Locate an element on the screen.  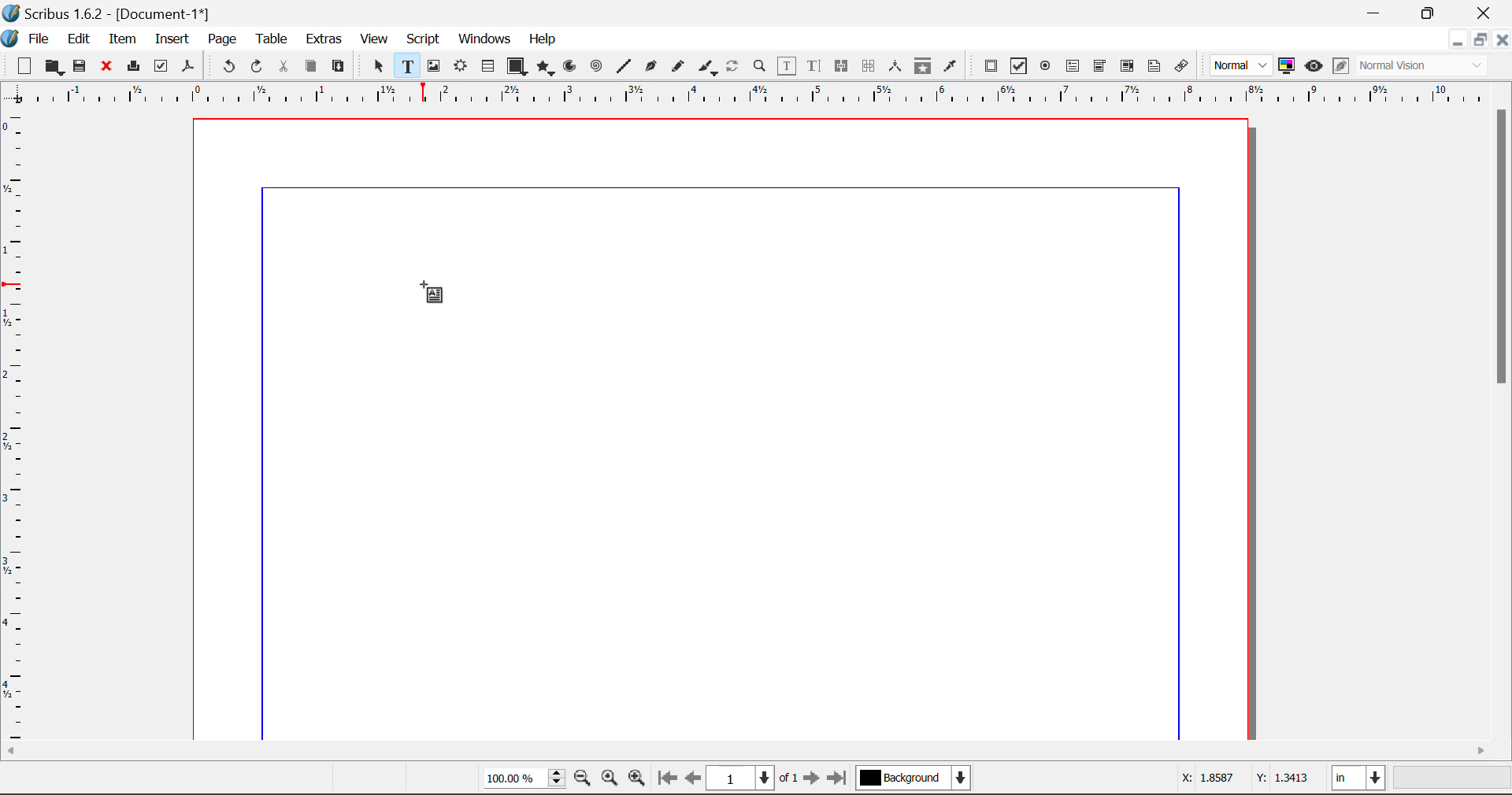
Measurements is located at coordinates (898, 66).